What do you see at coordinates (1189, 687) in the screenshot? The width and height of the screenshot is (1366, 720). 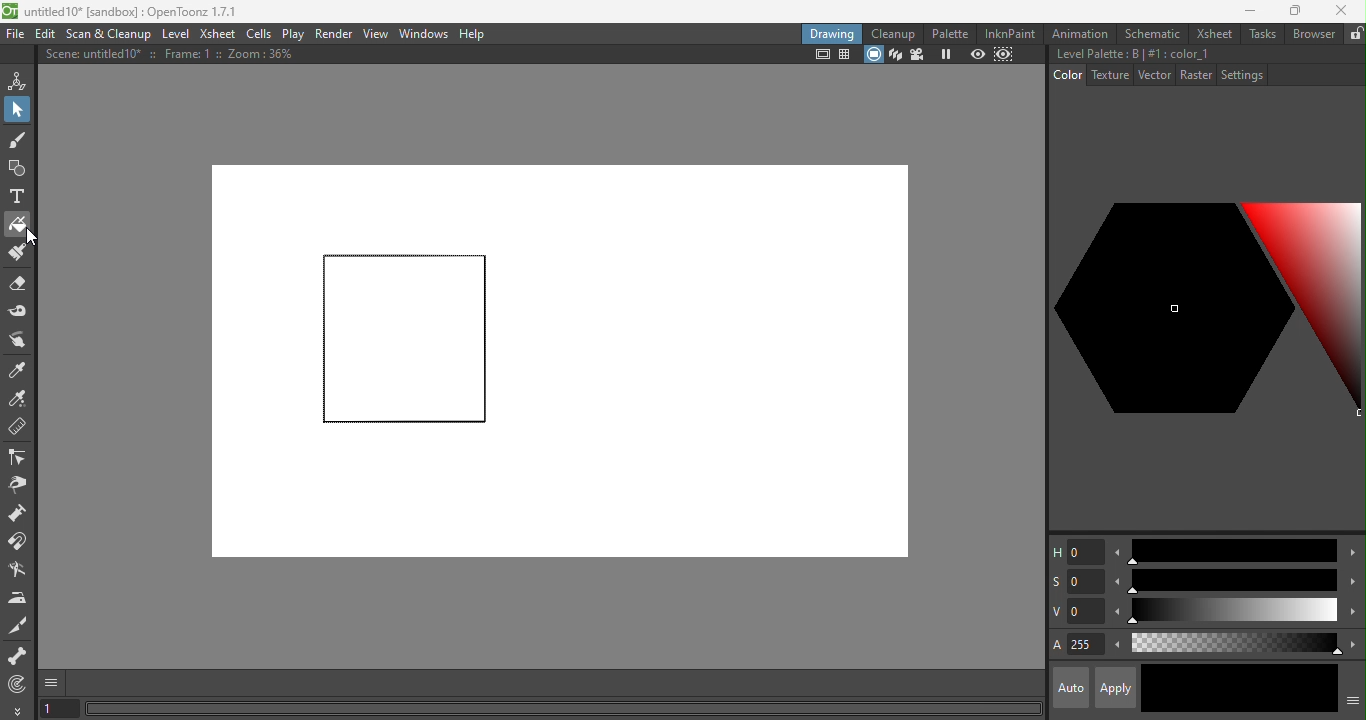 I see `Current style` at bounding box center [1189, 687].